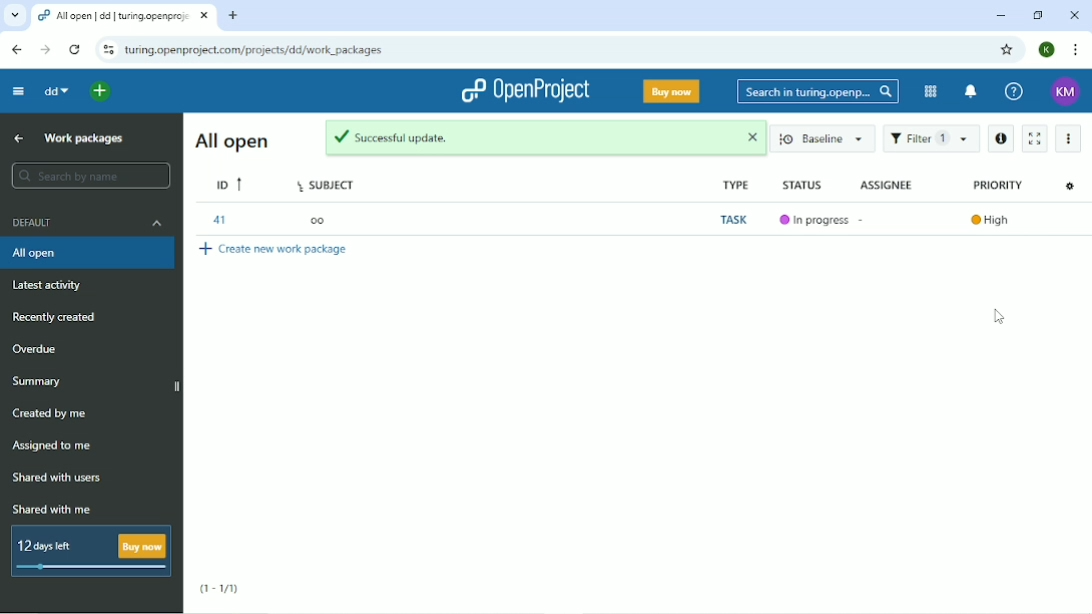 This screenshot has height=614, width=1092. I want to click on All open, so click(89, 253).